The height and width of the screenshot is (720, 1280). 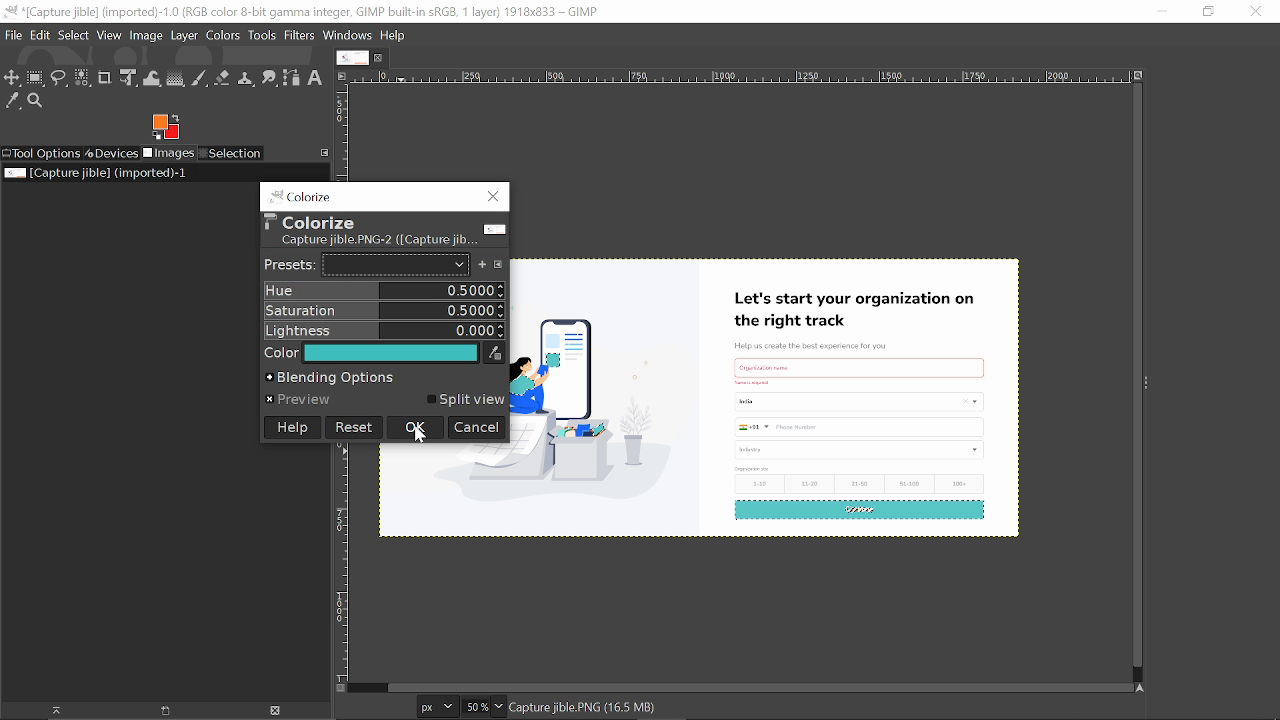 What do you see at coordinates (770, 394) in the screenshot?
I see `current image` at bounding box center [770, 394].